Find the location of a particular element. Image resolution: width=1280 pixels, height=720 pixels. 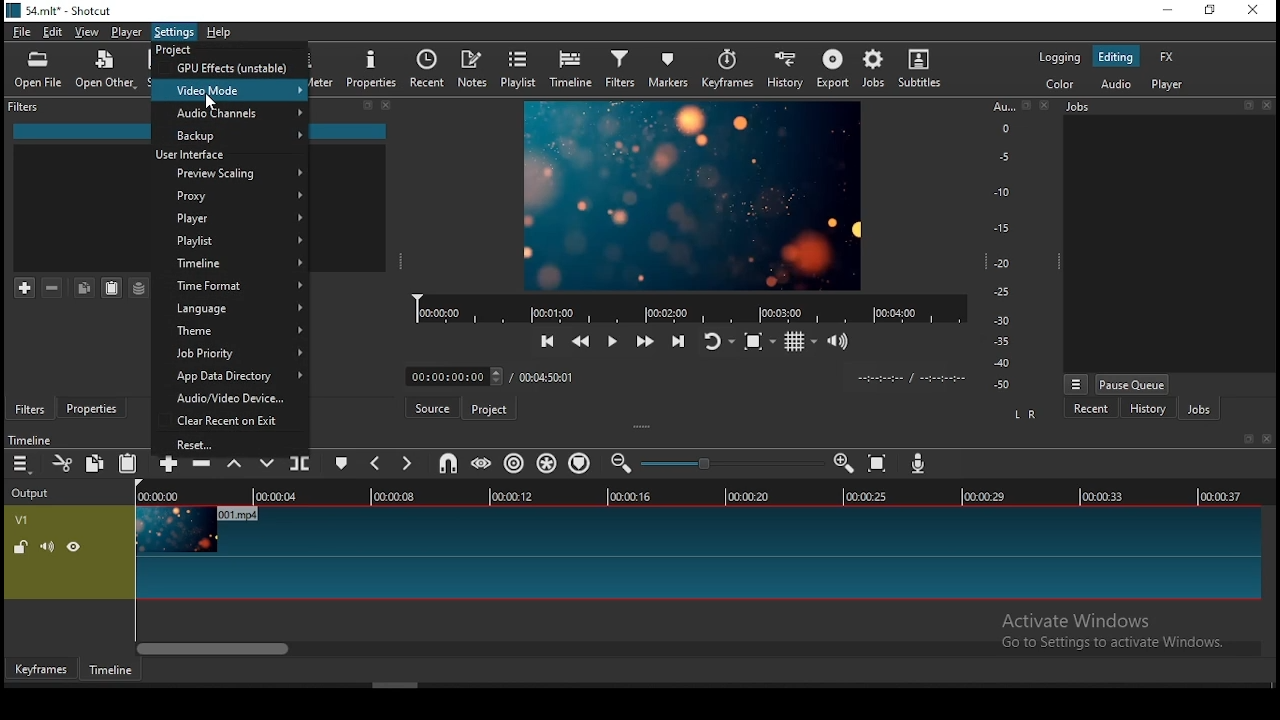

scrub while dragging is located at coordinates (483, 464).